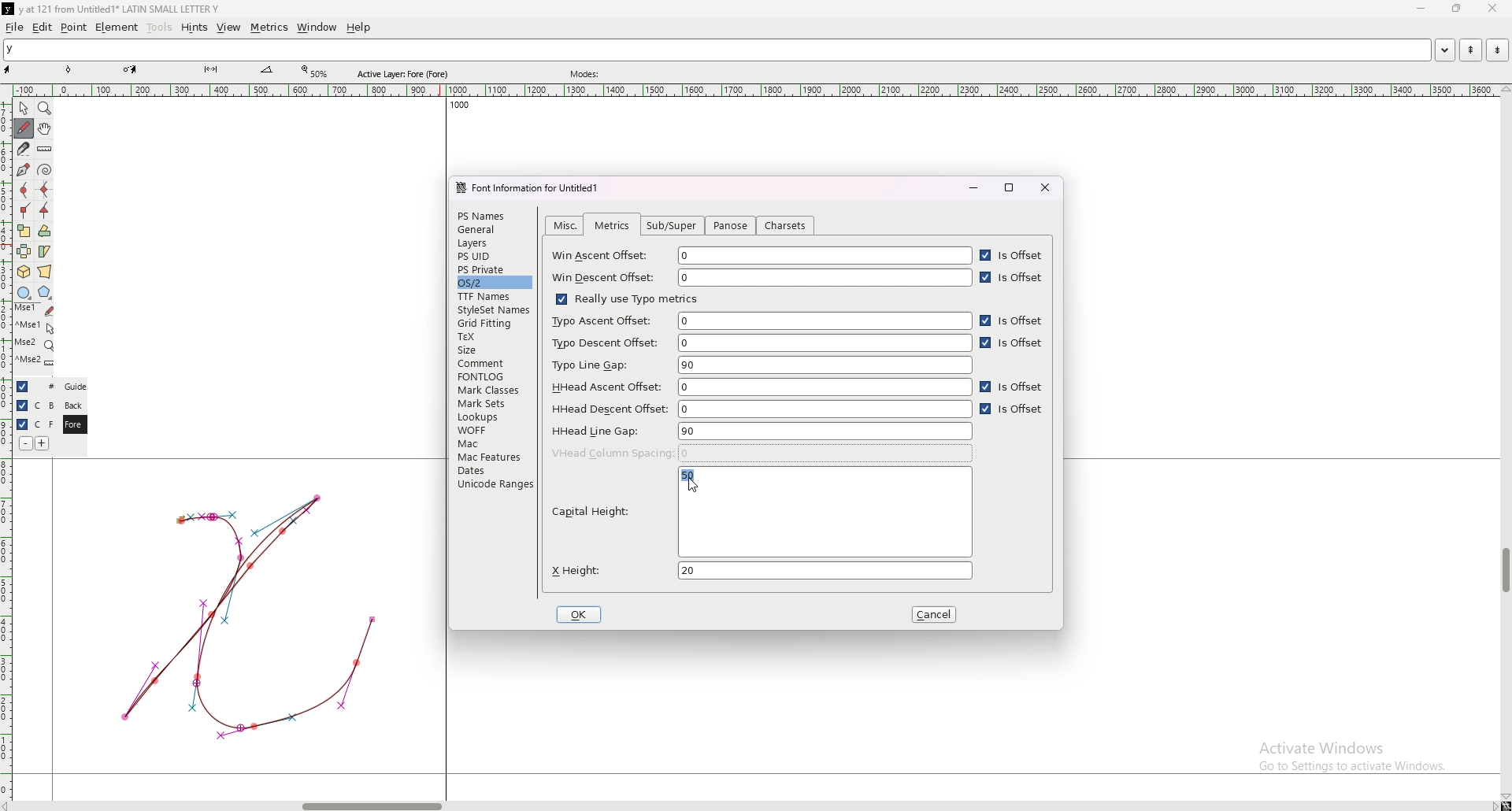 The image size is (1512, 811). Describe the element at coordinates (1455, 9) in the screenshot. I see `resize` at that location.